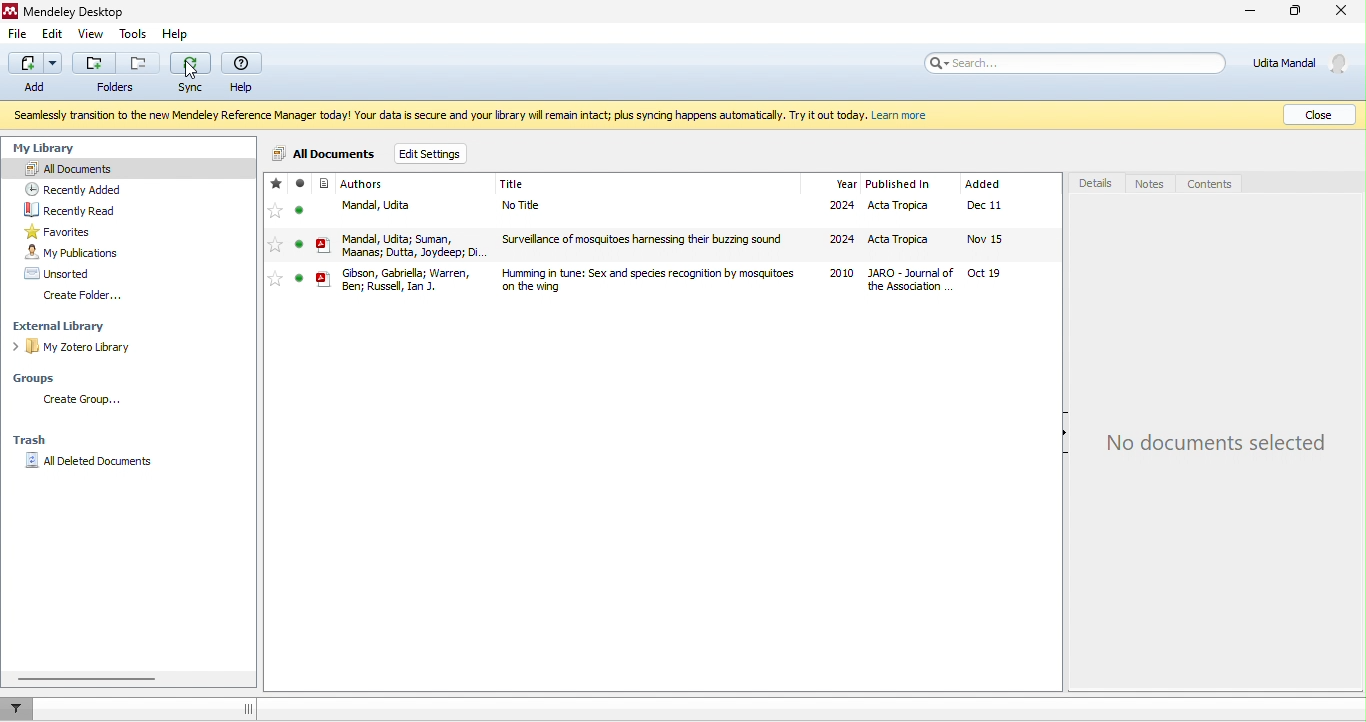  Describe the element at coordinates (191, 73) in the screenshot. I see `sync` at that location.